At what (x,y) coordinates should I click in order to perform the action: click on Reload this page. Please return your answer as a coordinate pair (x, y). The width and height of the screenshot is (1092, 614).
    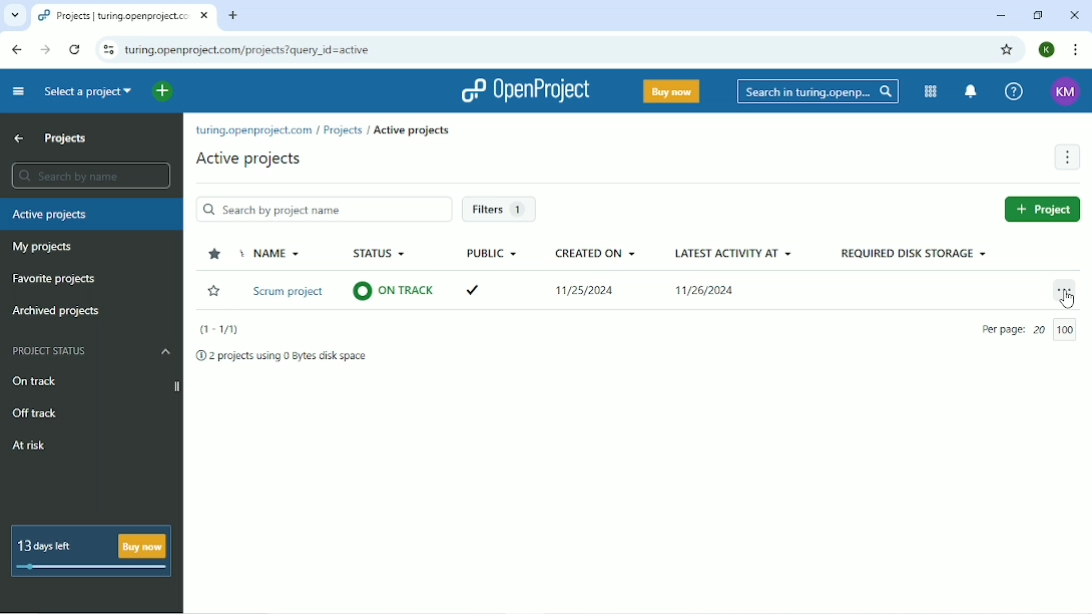
    Looking at the image, I should click on (75, 51).